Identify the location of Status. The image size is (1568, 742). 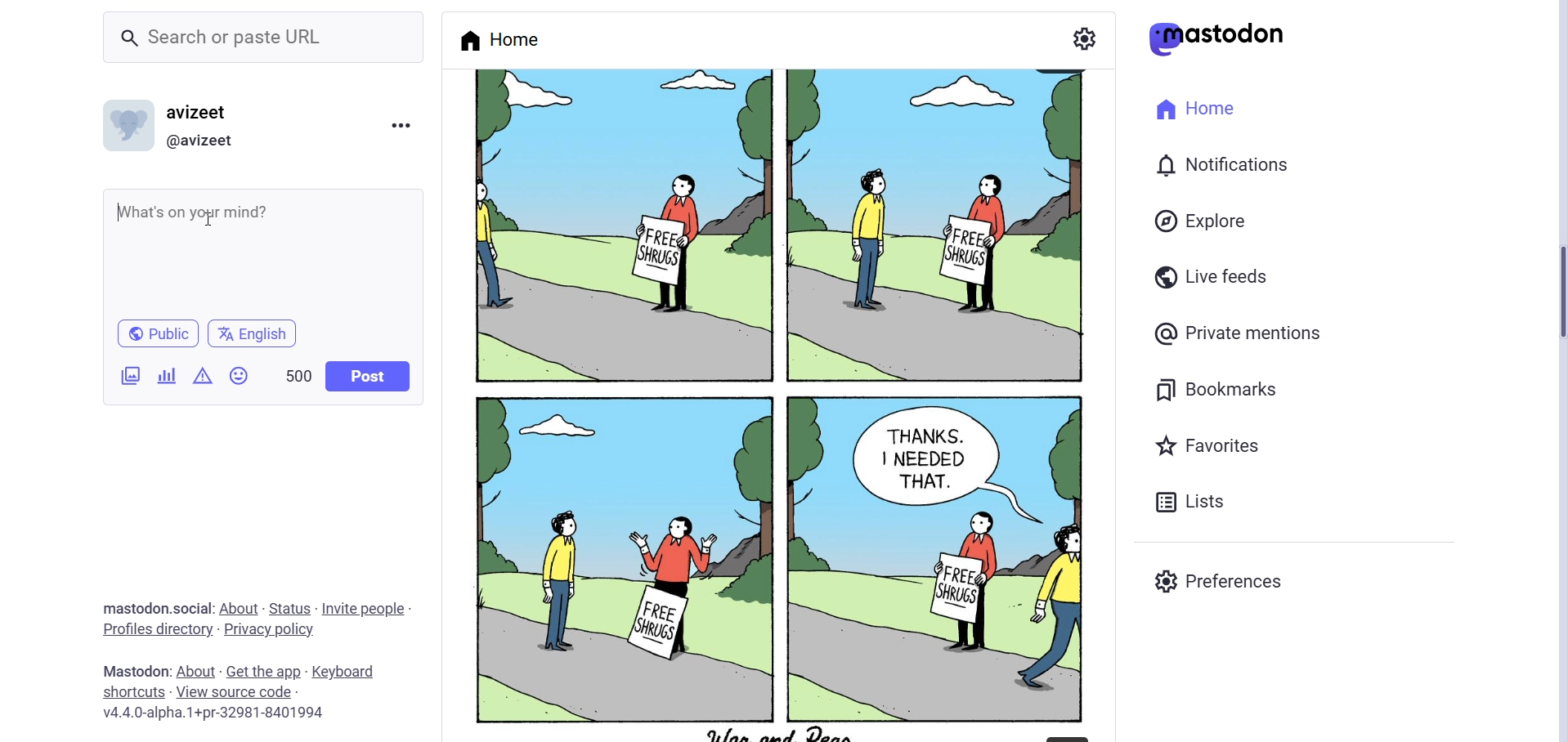
(290, 609).